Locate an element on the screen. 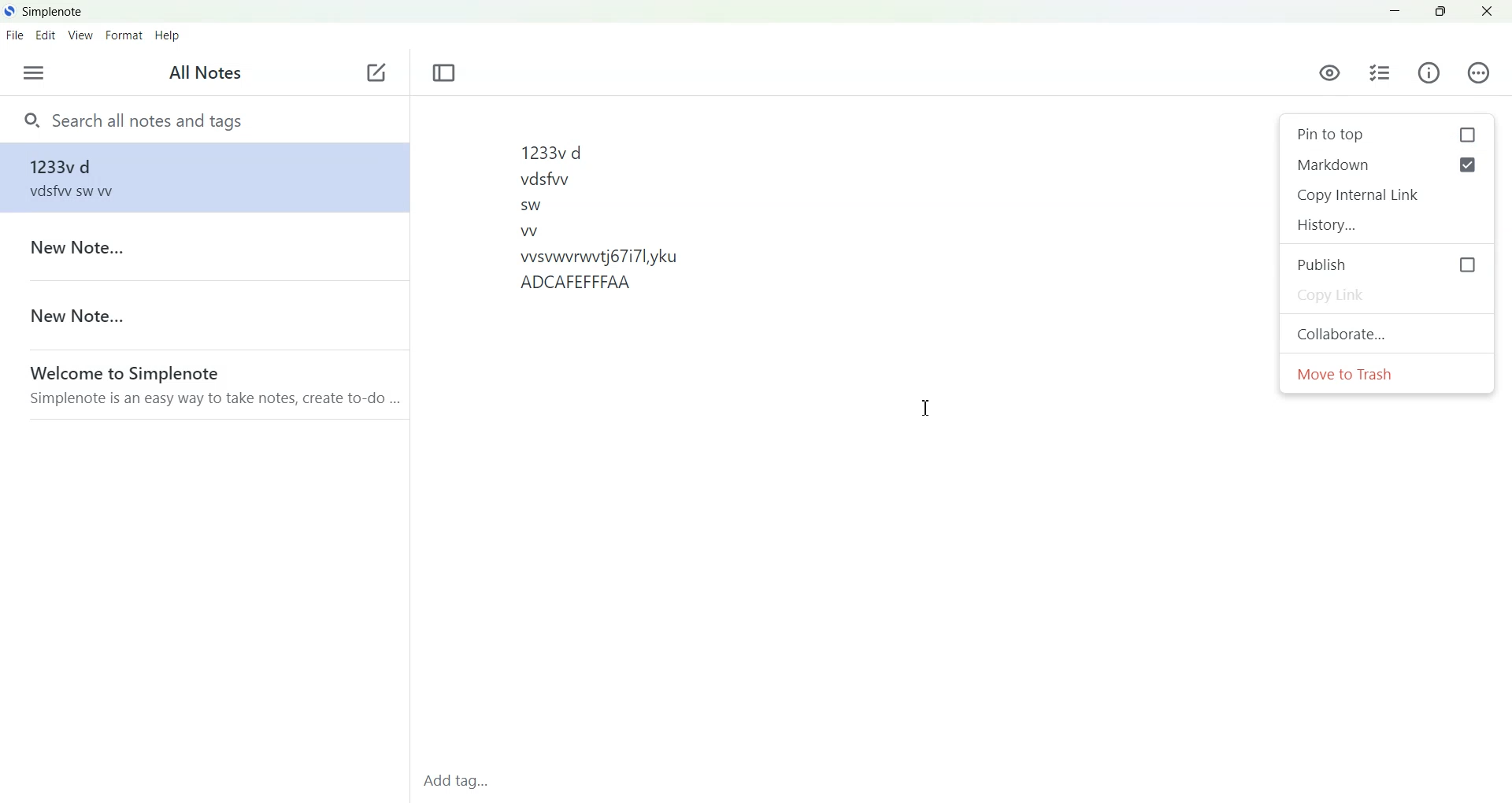  Move to Trash is located at coordinates (1388, 374).